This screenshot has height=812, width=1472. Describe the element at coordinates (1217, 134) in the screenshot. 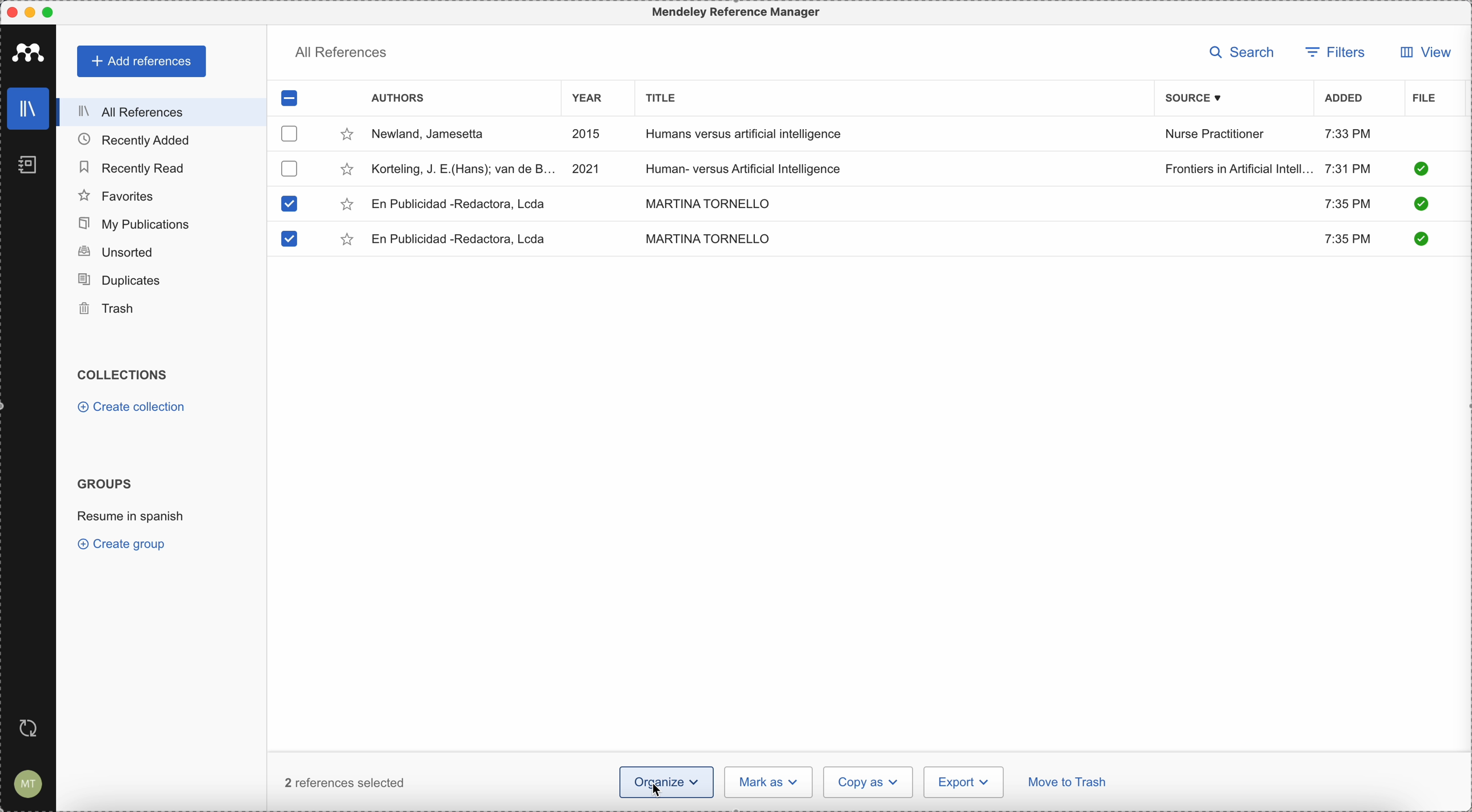

I see `Nurse Practitioner` at that location.